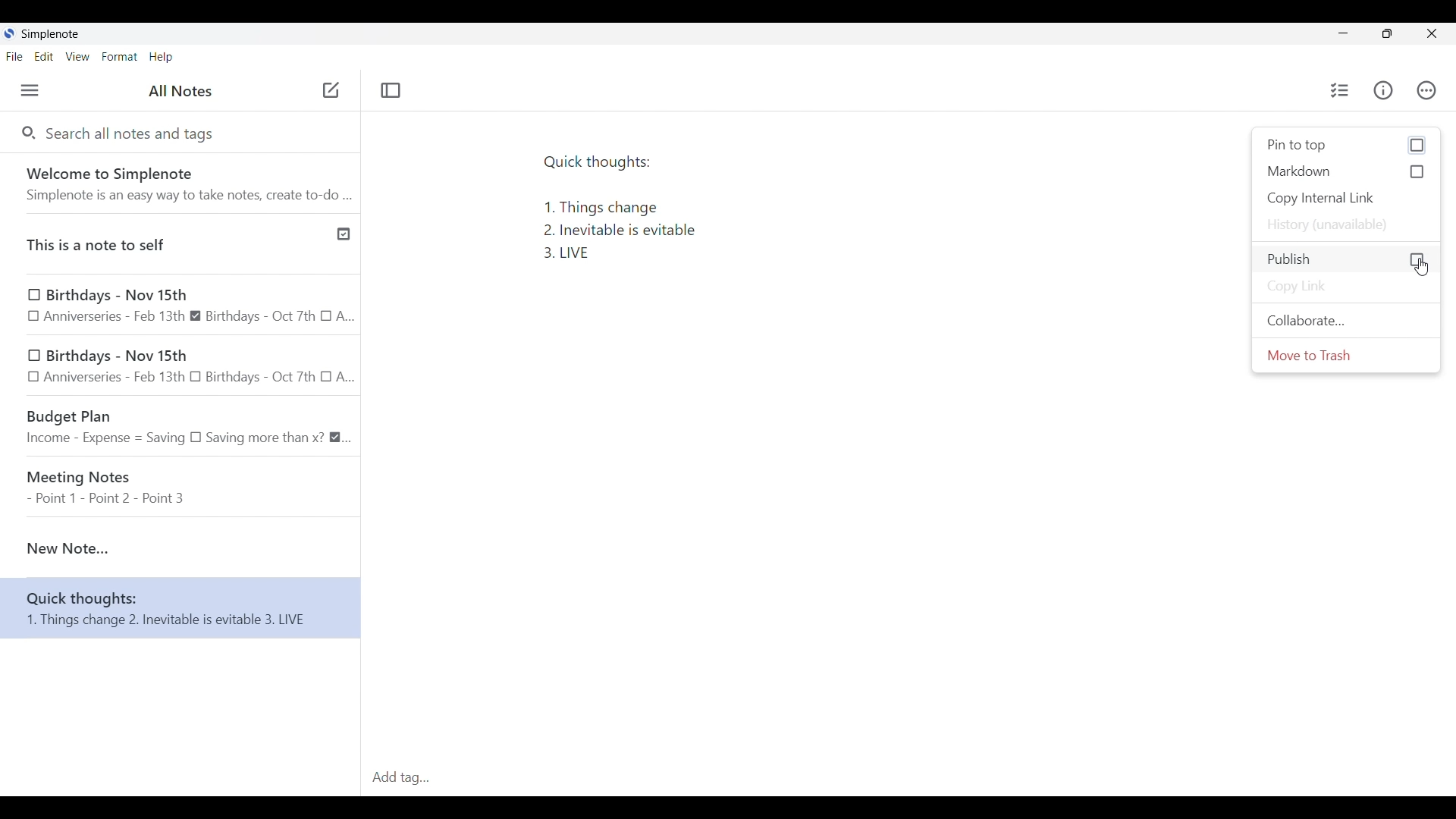 The image size is (1456, 819). Describe the element at coordinates (1346, 171) in the screenshot. I see `Check to Markdown` at that location.